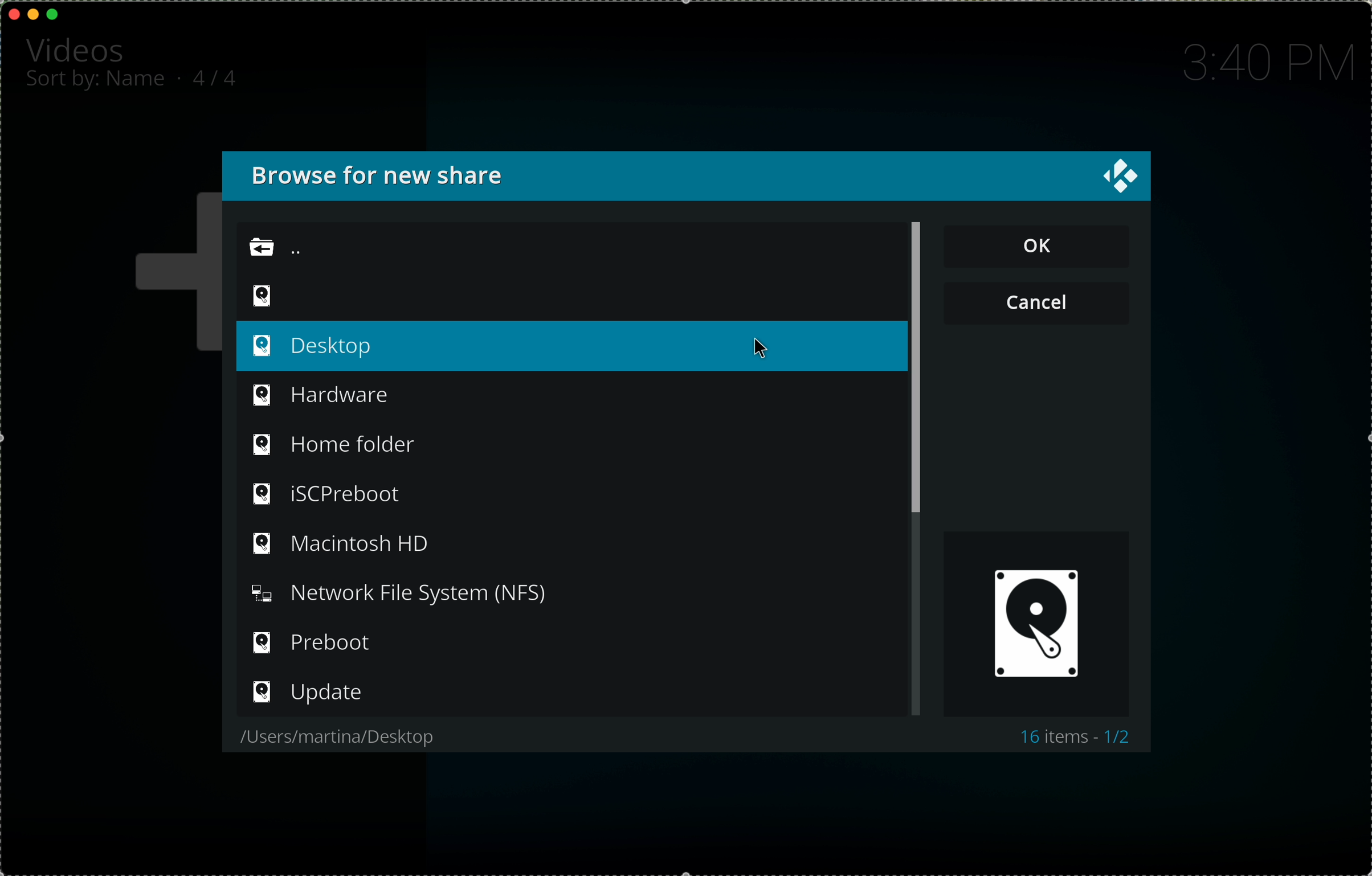 The height and width of the screenshot is (876, 1372). What do you see at coordinates (170, 274) in the screenshot?
I see `plus icon` at bounding box center [170, 274].